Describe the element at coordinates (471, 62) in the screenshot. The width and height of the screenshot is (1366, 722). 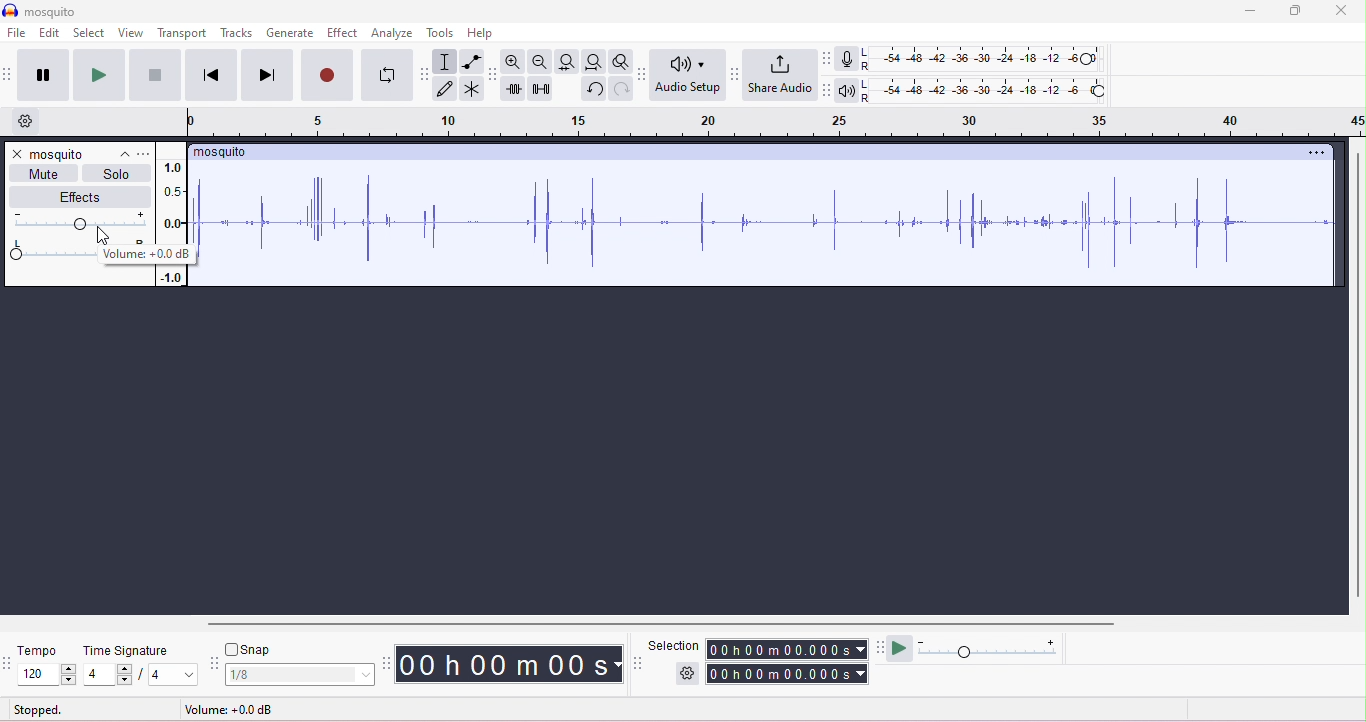
I see `envelop` at that location.